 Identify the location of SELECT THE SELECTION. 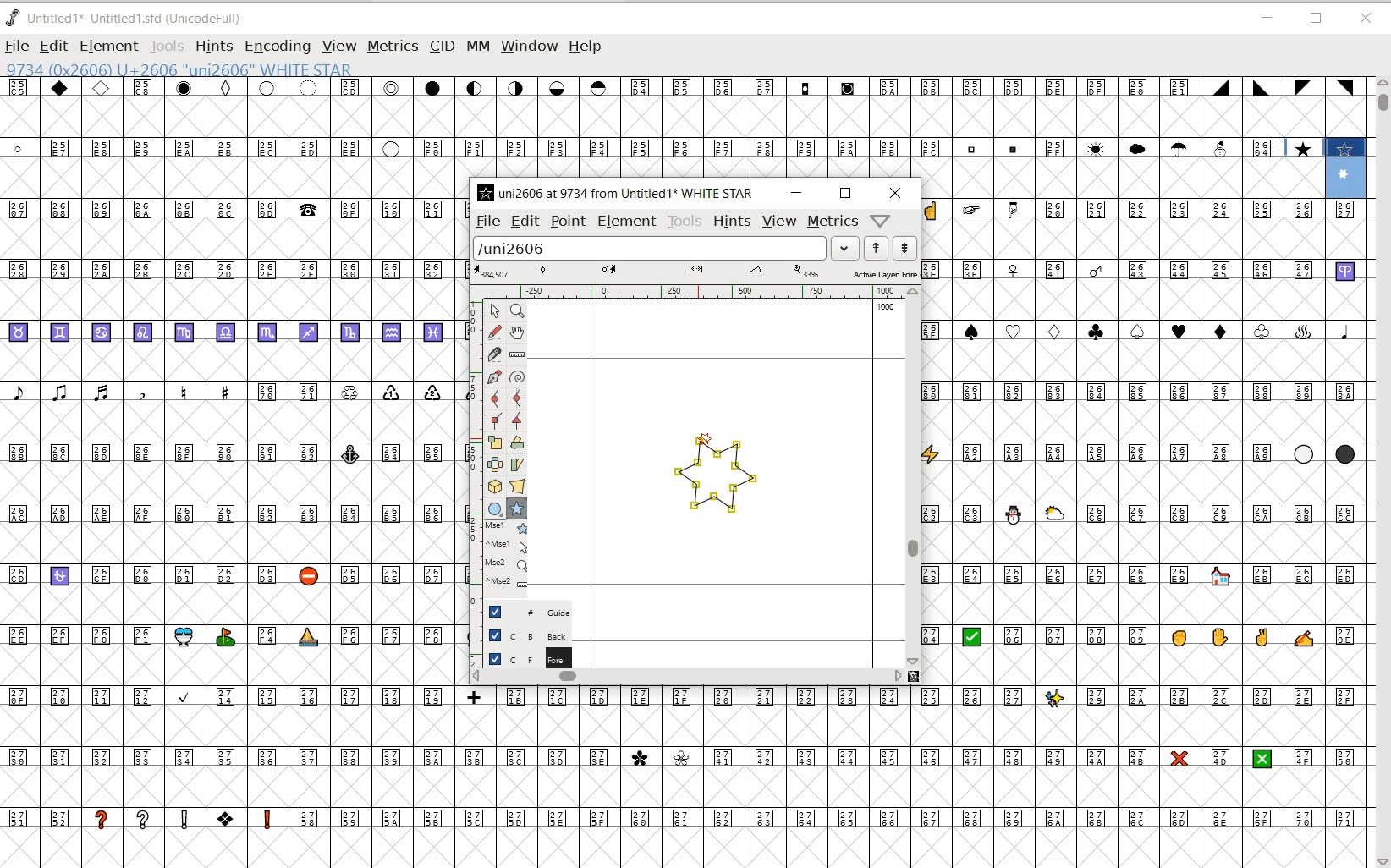
(494, 444).